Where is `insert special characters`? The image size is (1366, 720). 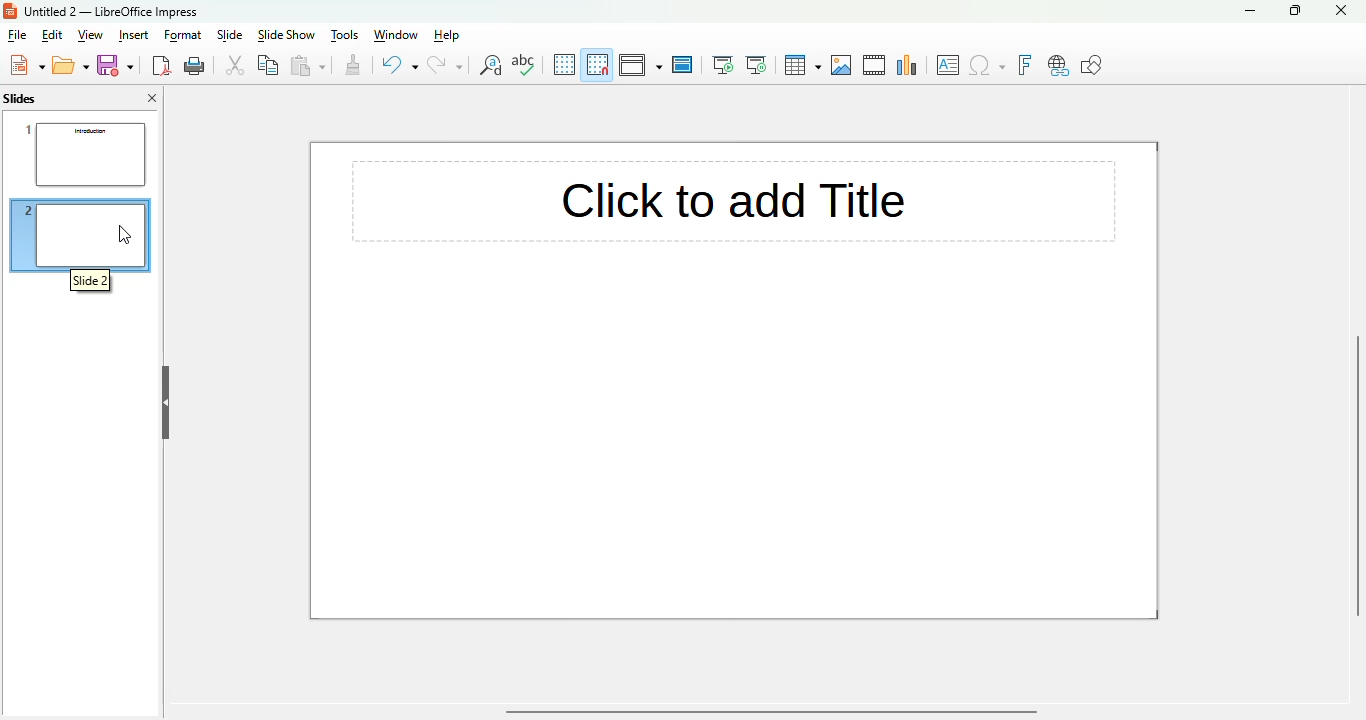 insert special characters is located at coordinates (987, 65).